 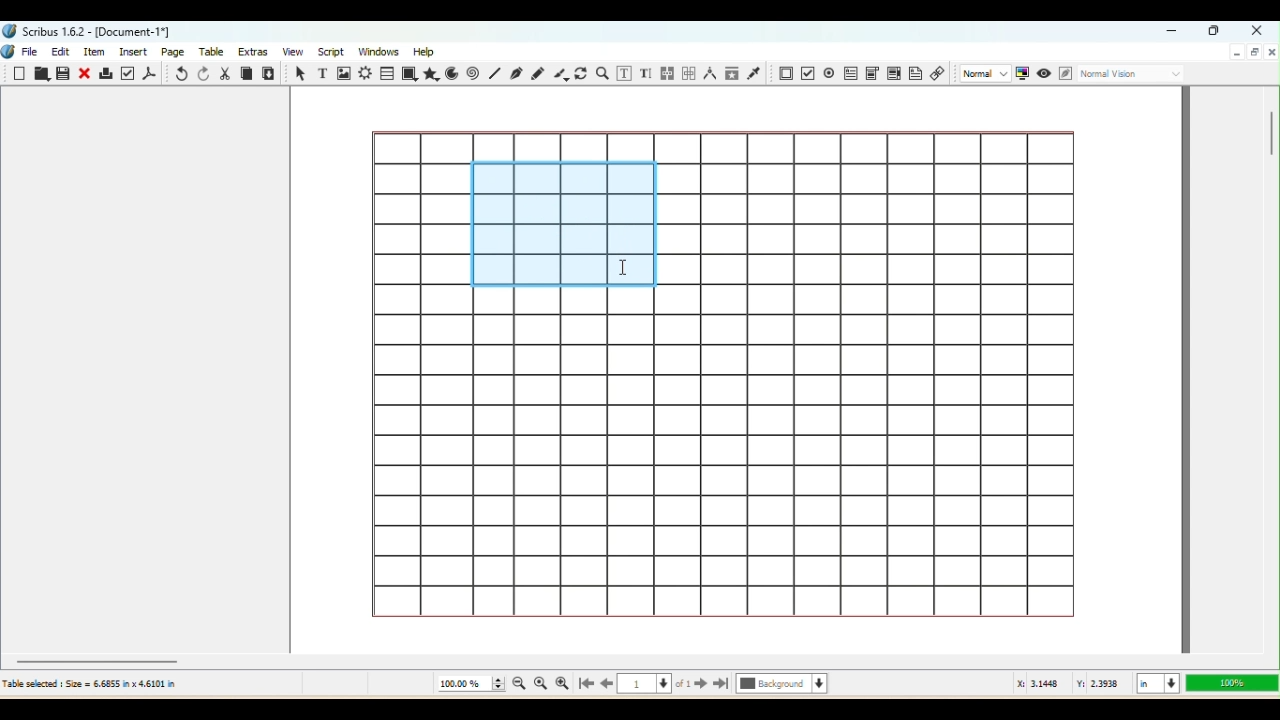 What do you see at coordinates (541, 685) in the screenshot?
I see `Zoom to 100%` at bounding box center [541, 685].